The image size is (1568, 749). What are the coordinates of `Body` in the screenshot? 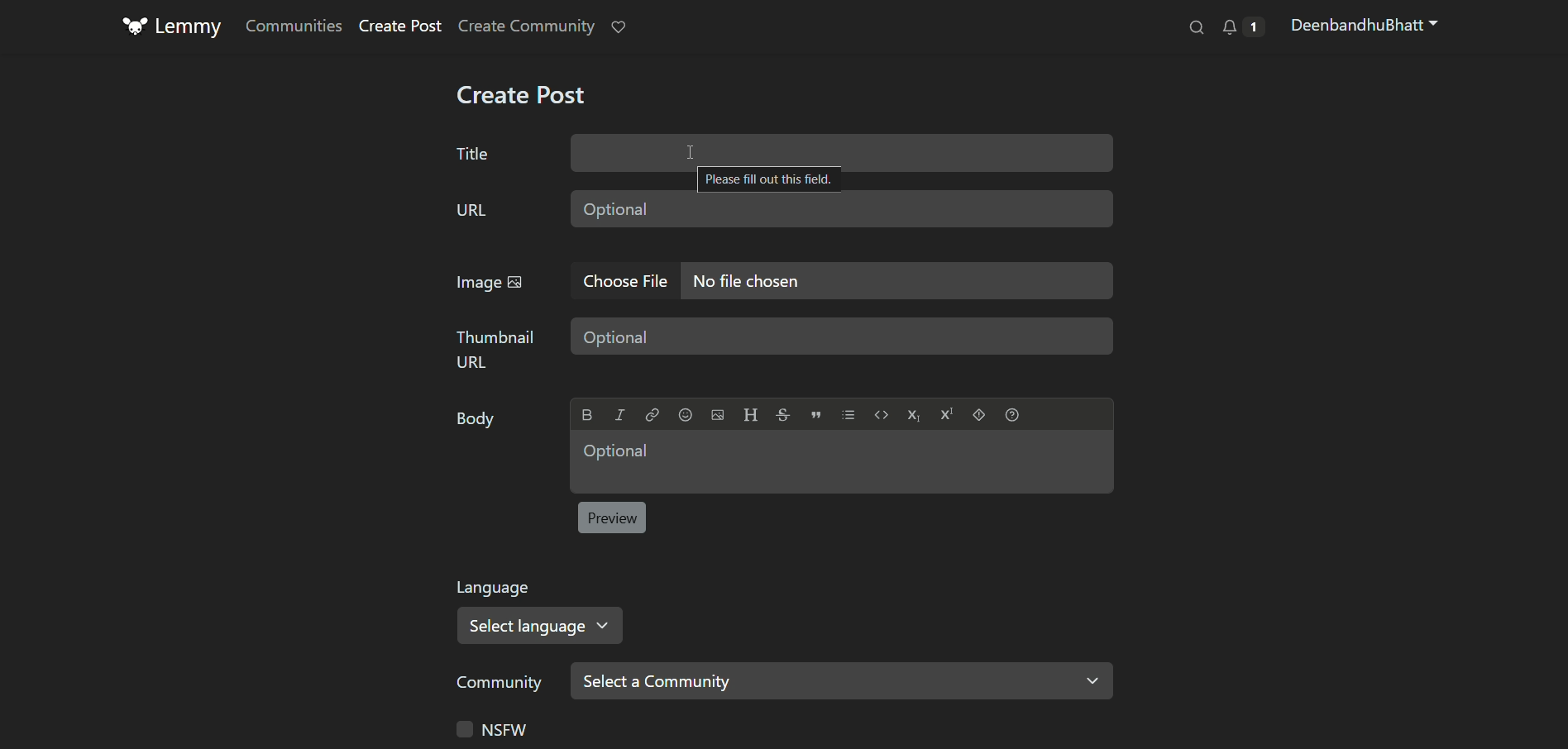 It's located at (472, 420).